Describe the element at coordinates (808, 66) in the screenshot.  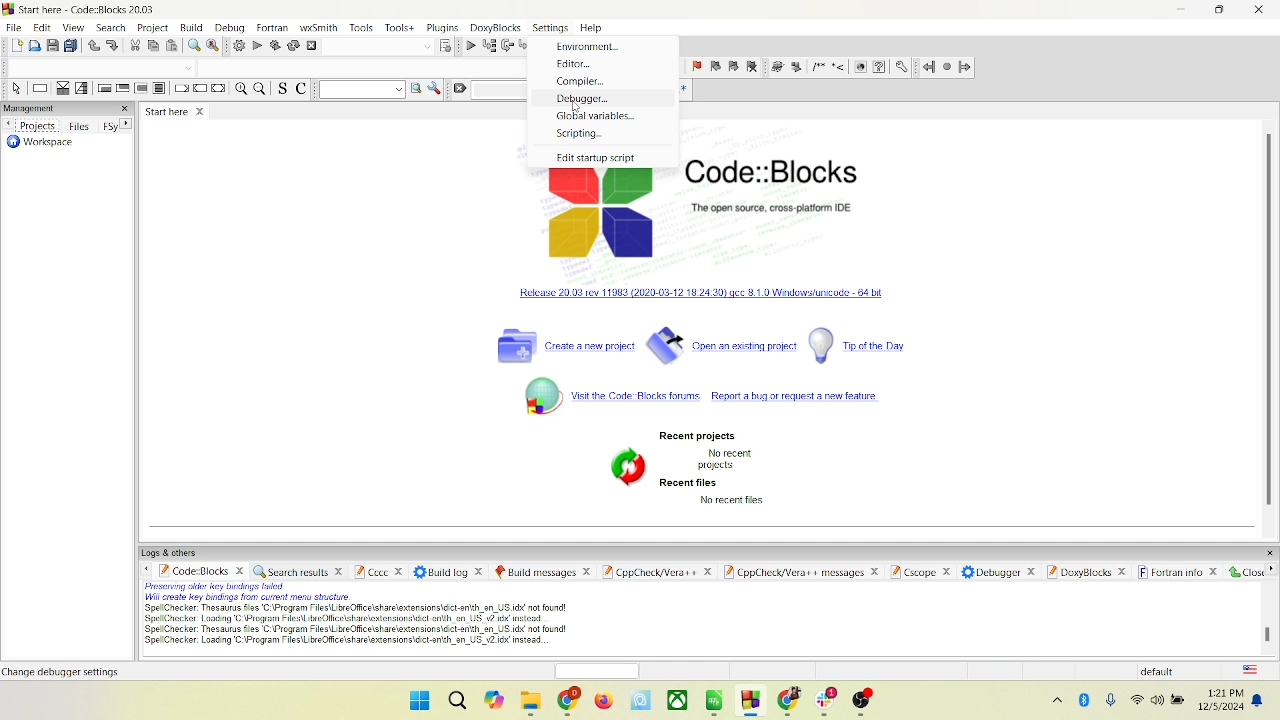
I see `symbols` at that location.